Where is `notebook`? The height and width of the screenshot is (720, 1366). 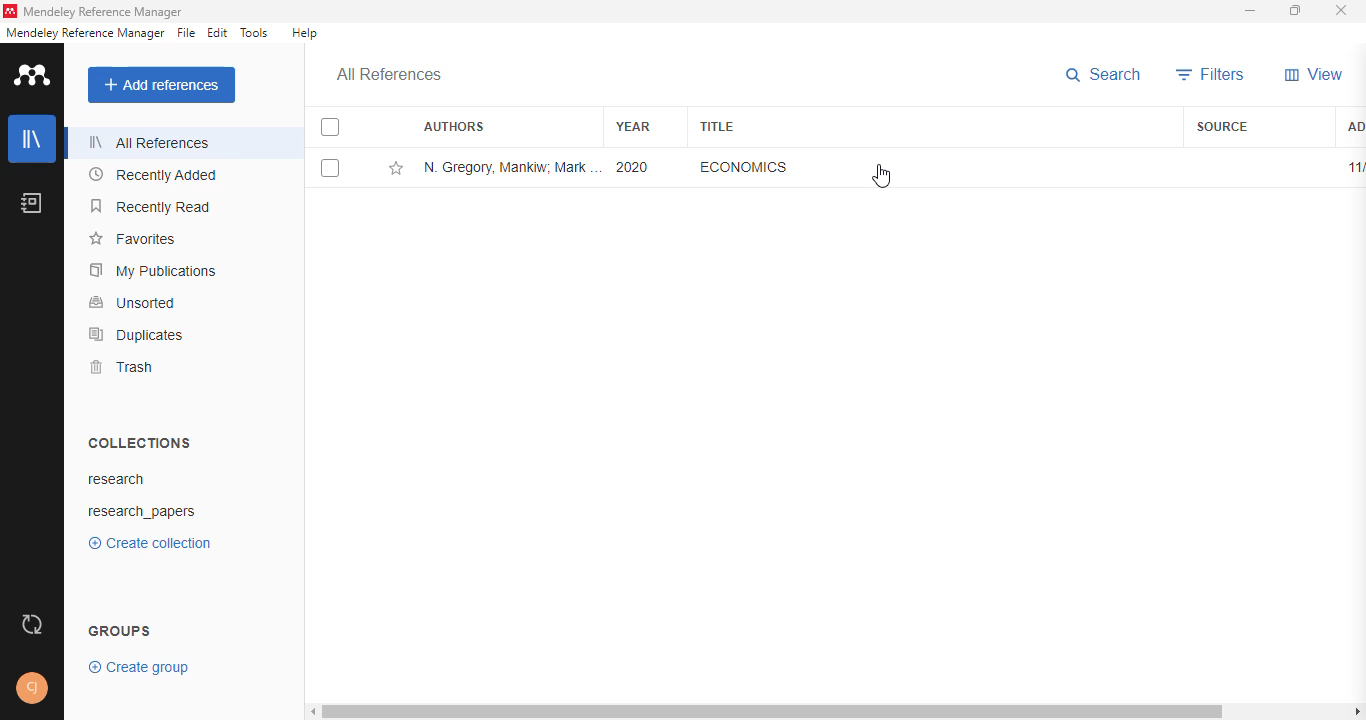
notebook is located at coordinates (32, 203).